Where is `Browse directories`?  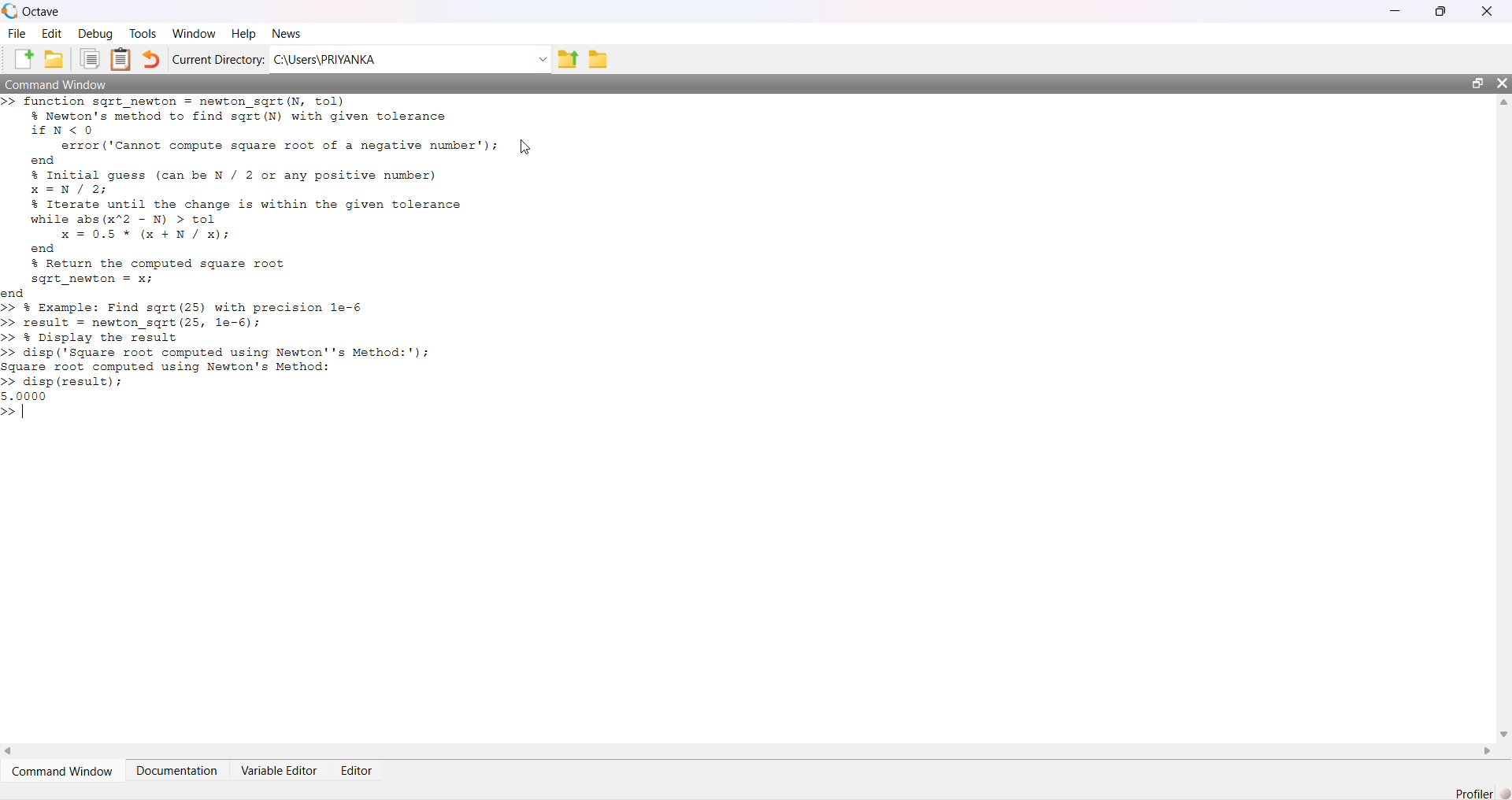
Browse directories is located at coordinates (598, 57).